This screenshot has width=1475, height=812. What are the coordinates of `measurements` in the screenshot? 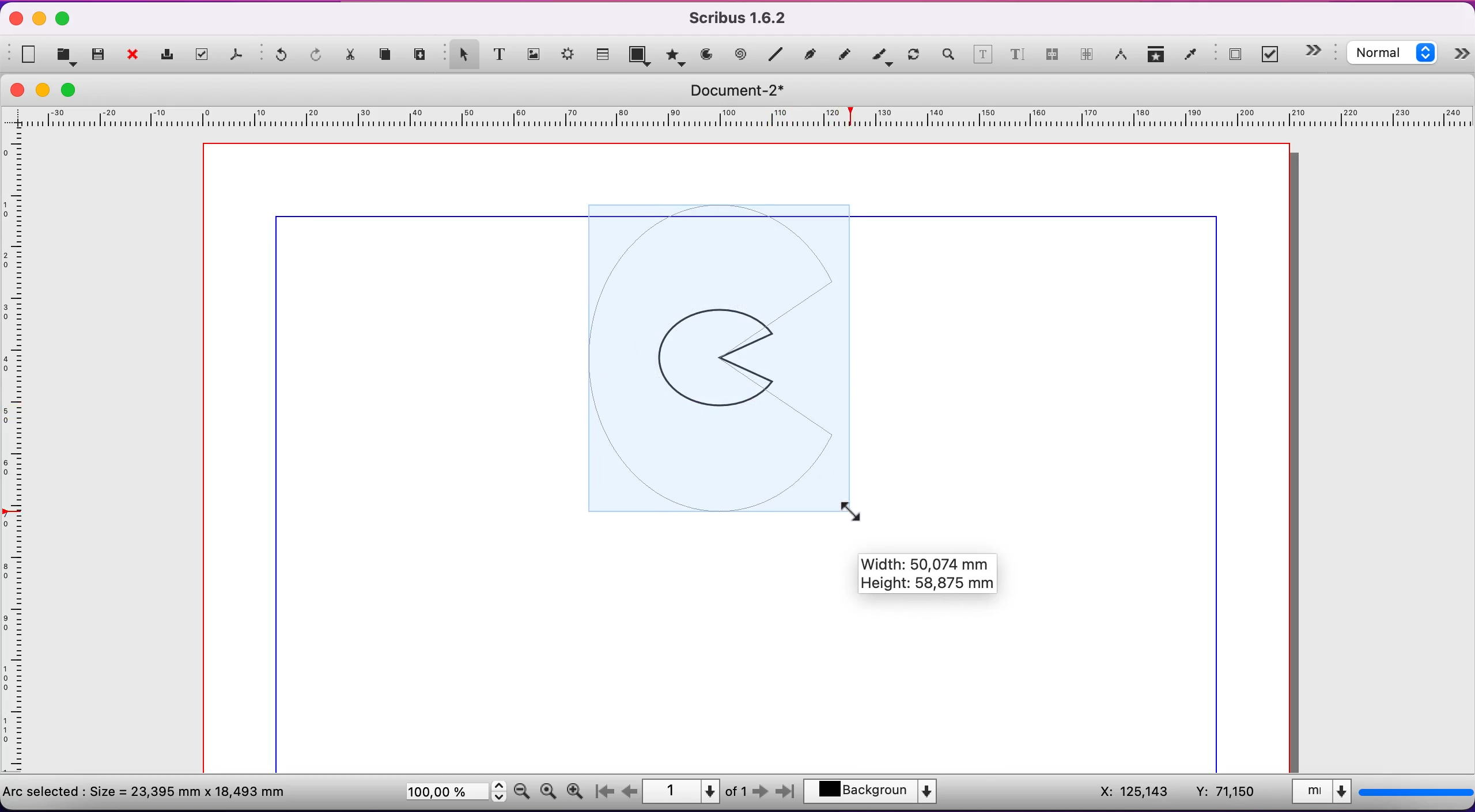 It's located at (1121, 56).